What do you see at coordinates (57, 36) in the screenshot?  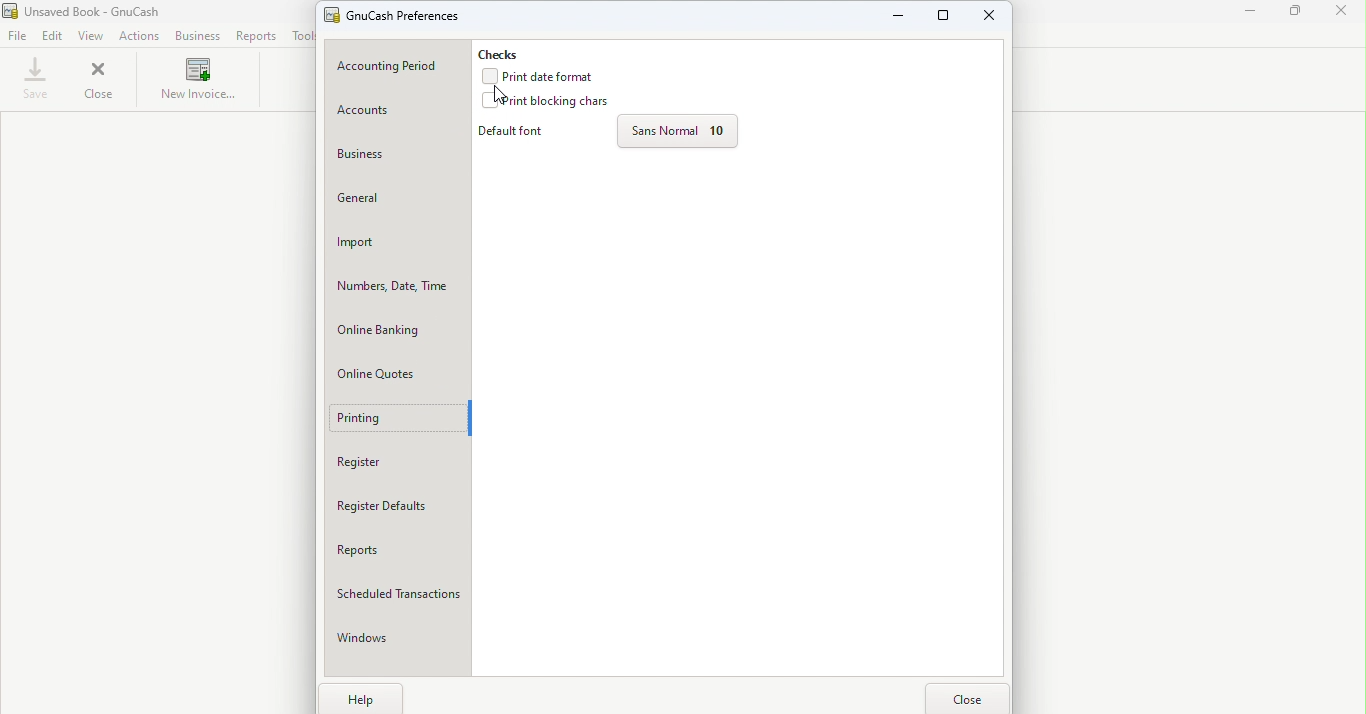 I see `Edit` at bounding box center [57, 36].